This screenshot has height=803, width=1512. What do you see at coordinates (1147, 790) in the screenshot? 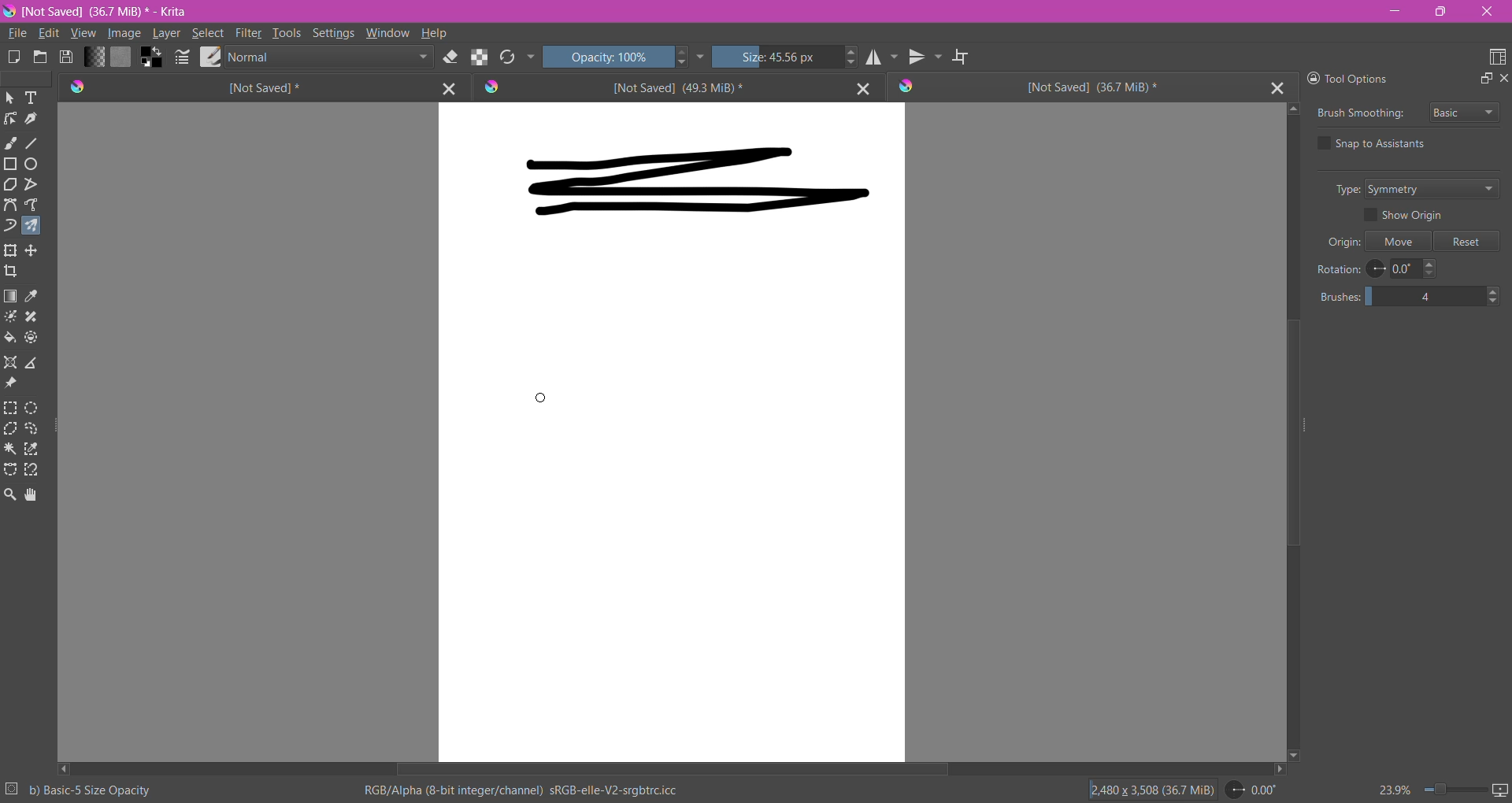
I see `Image Size` at bounding box center [1147, 790].